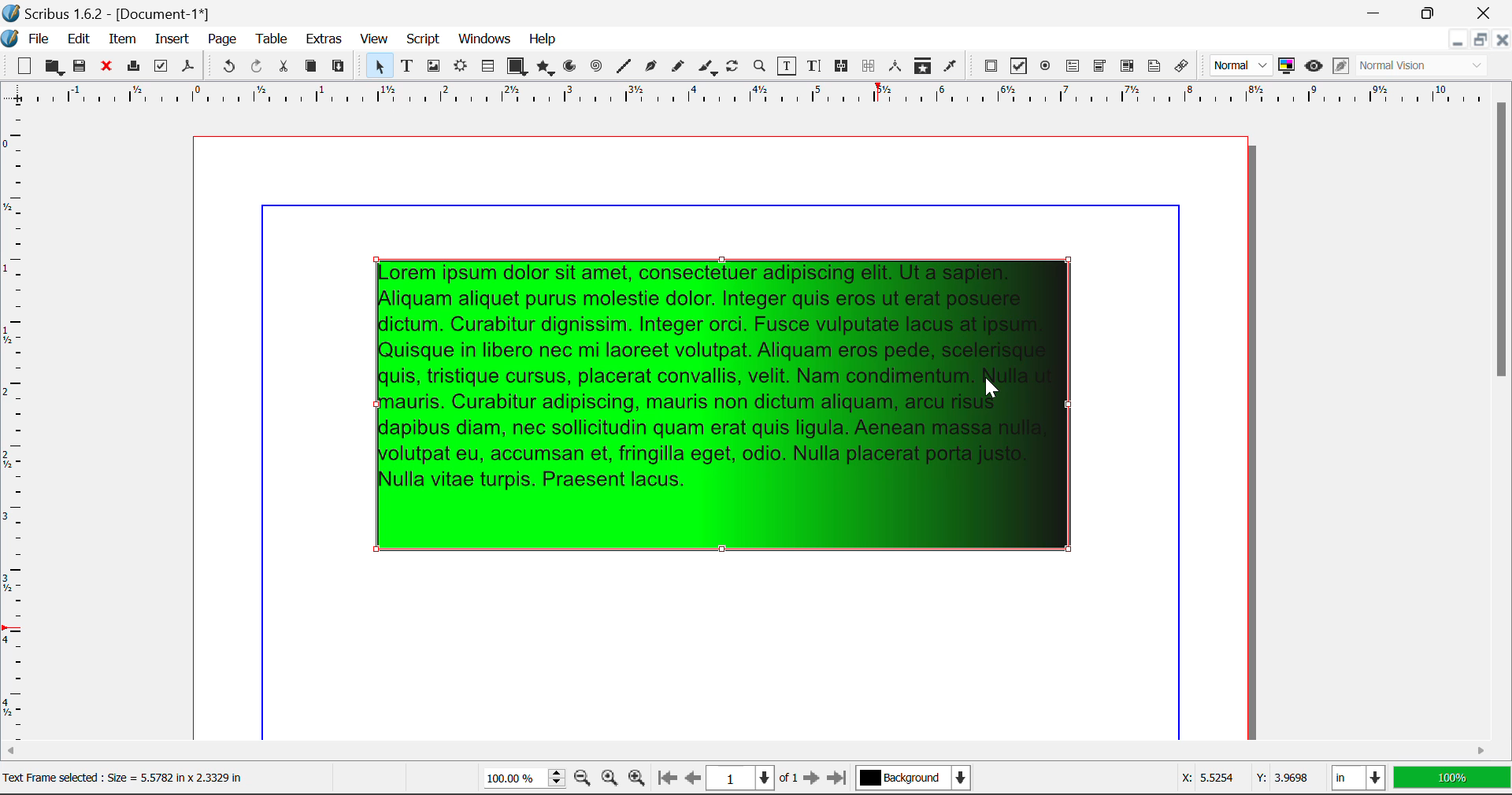  Describe the element at coordinates (326, 39) in the screenshot. I see `Extras` at that location.